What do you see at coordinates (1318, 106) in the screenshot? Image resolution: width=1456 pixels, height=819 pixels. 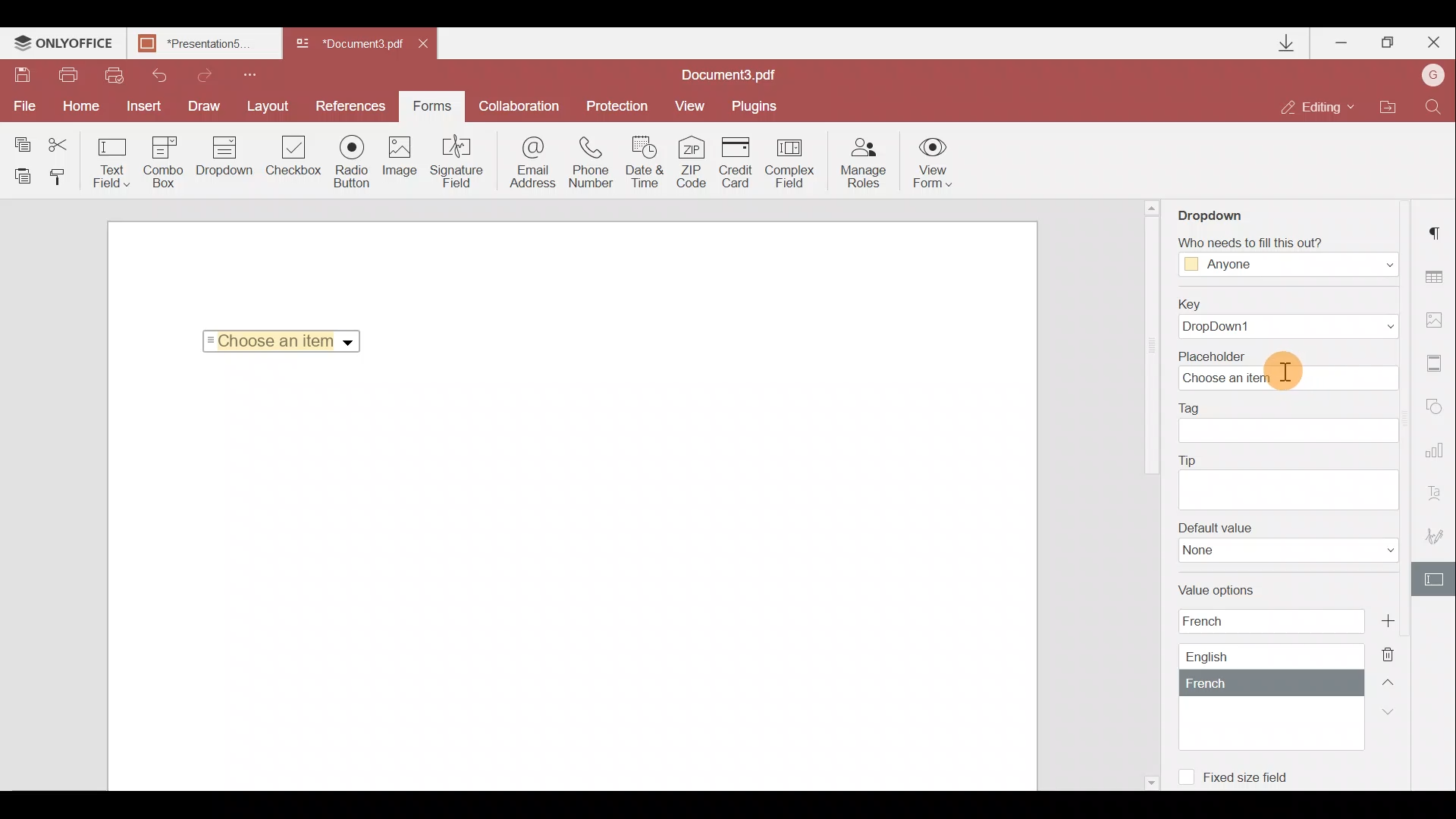 I see `Editing mode` at bounding box center [1318, 106].